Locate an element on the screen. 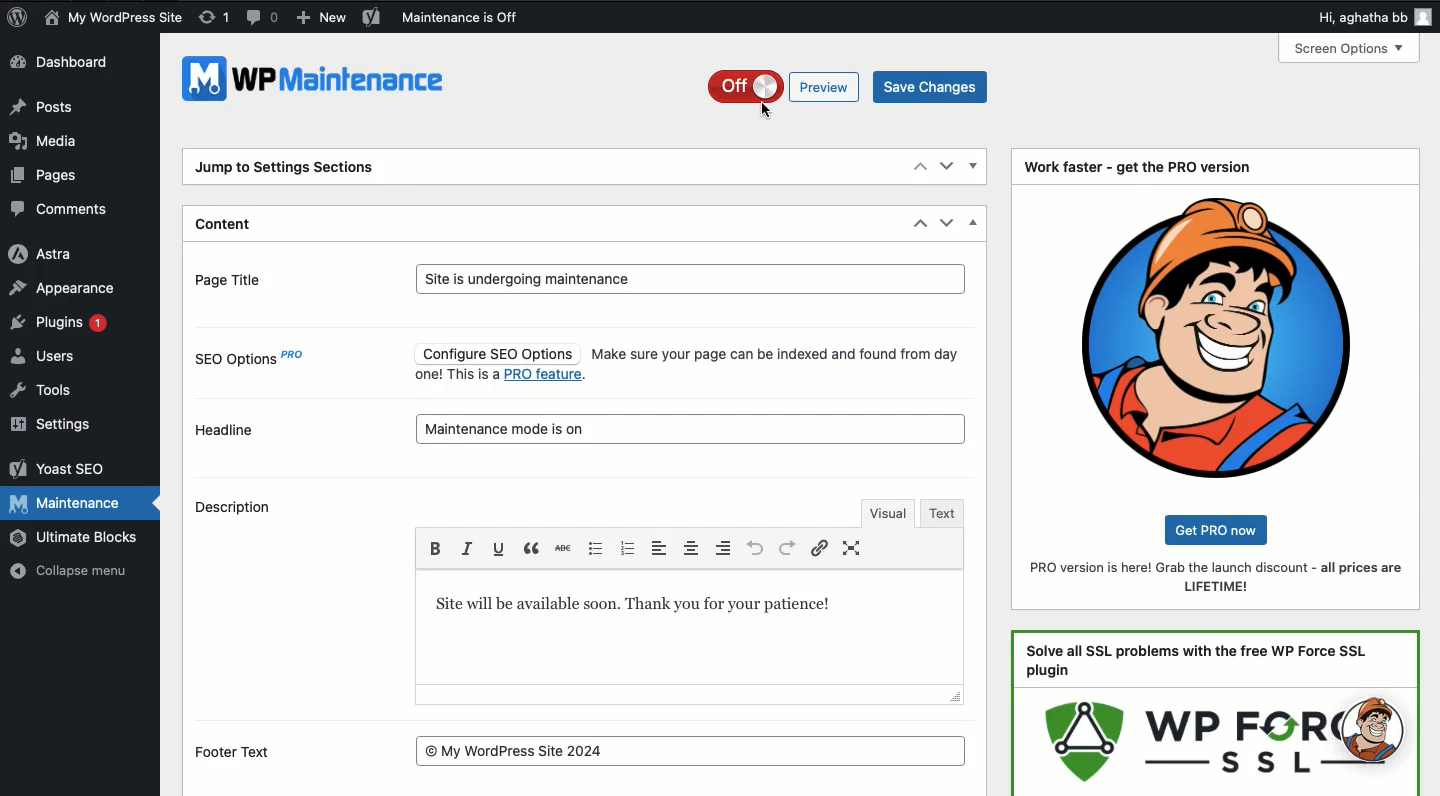 Image resolution: width=1440 pixels, height=796 pixels. Break is located at coordinates (533, 547).